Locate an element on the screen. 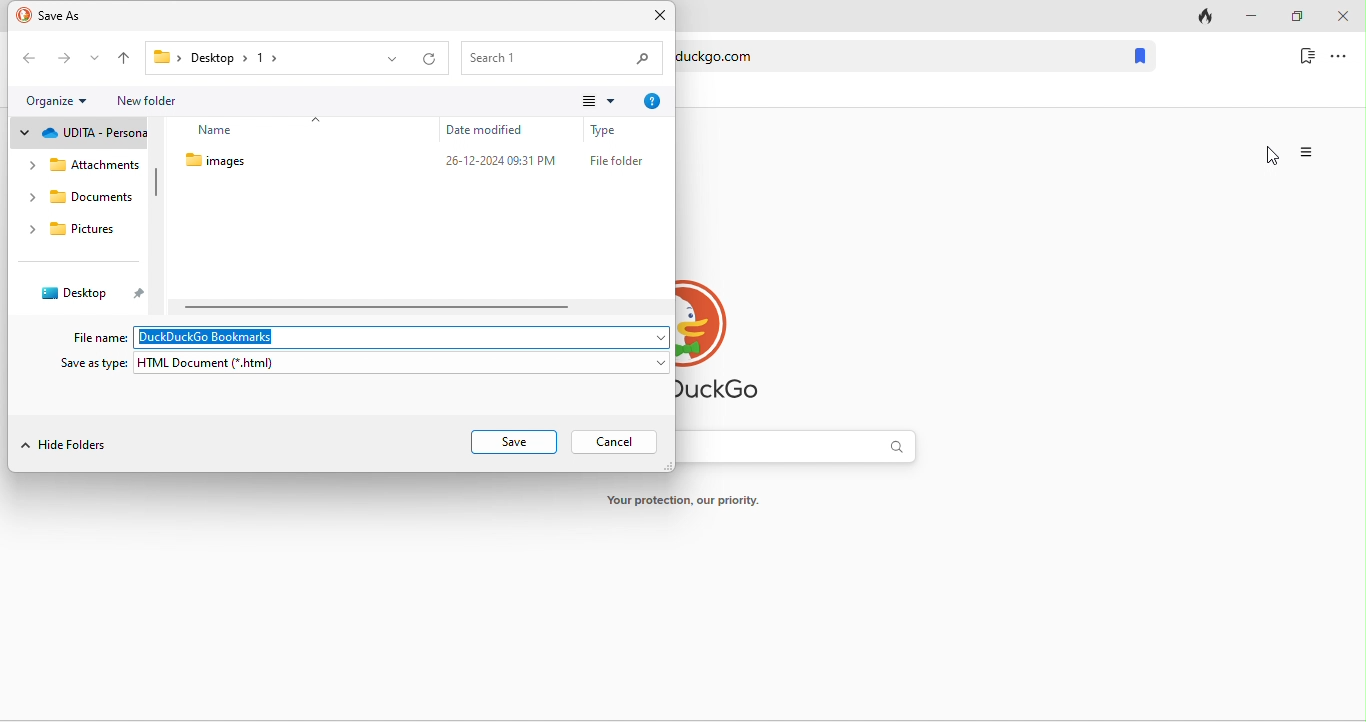 This screenshot has height=722, width=1366. images is located at coordinates (261, 165).